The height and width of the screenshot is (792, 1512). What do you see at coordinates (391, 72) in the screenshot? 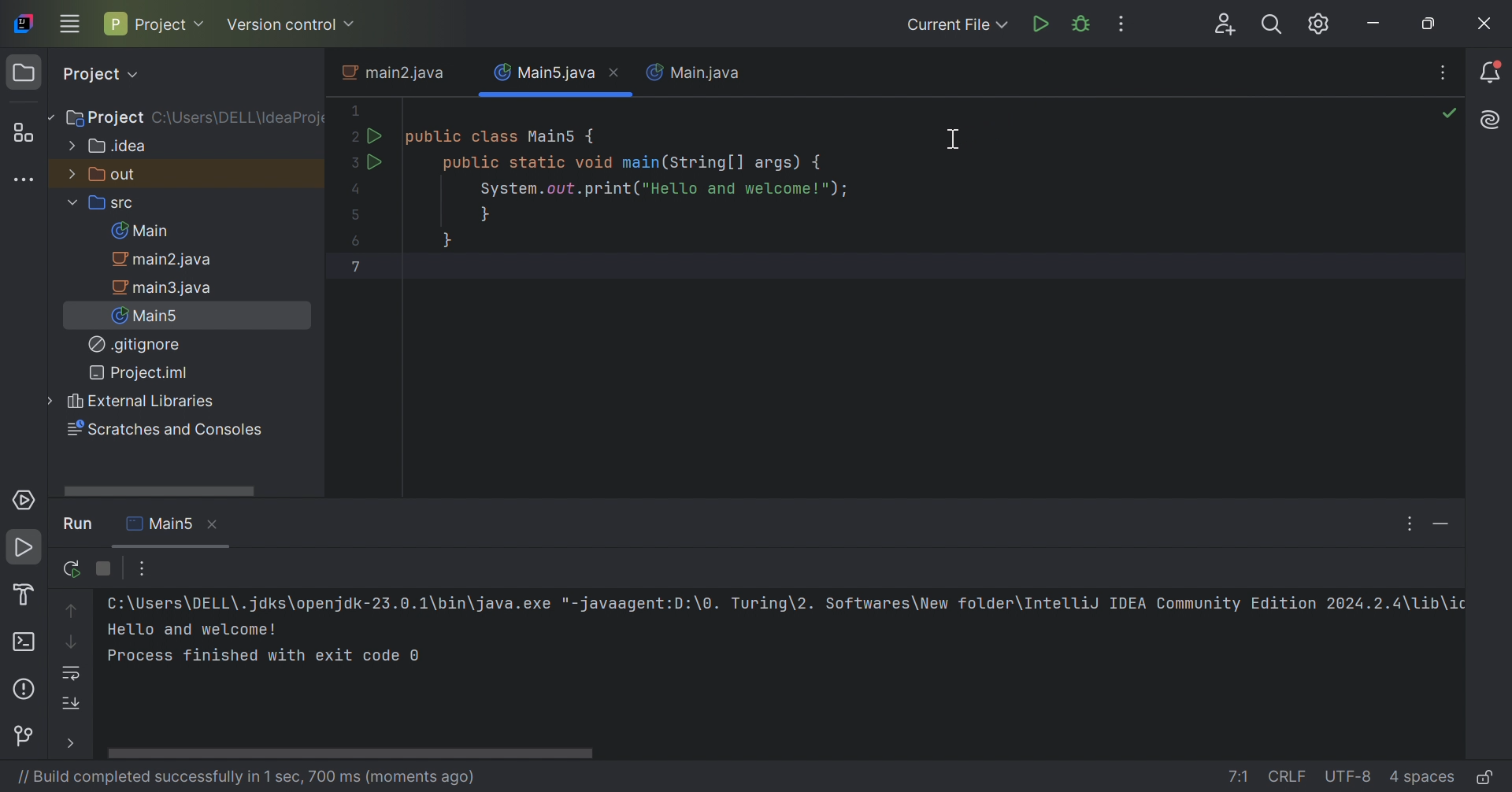
I see `main2.java` at bounding box center [391, 72].